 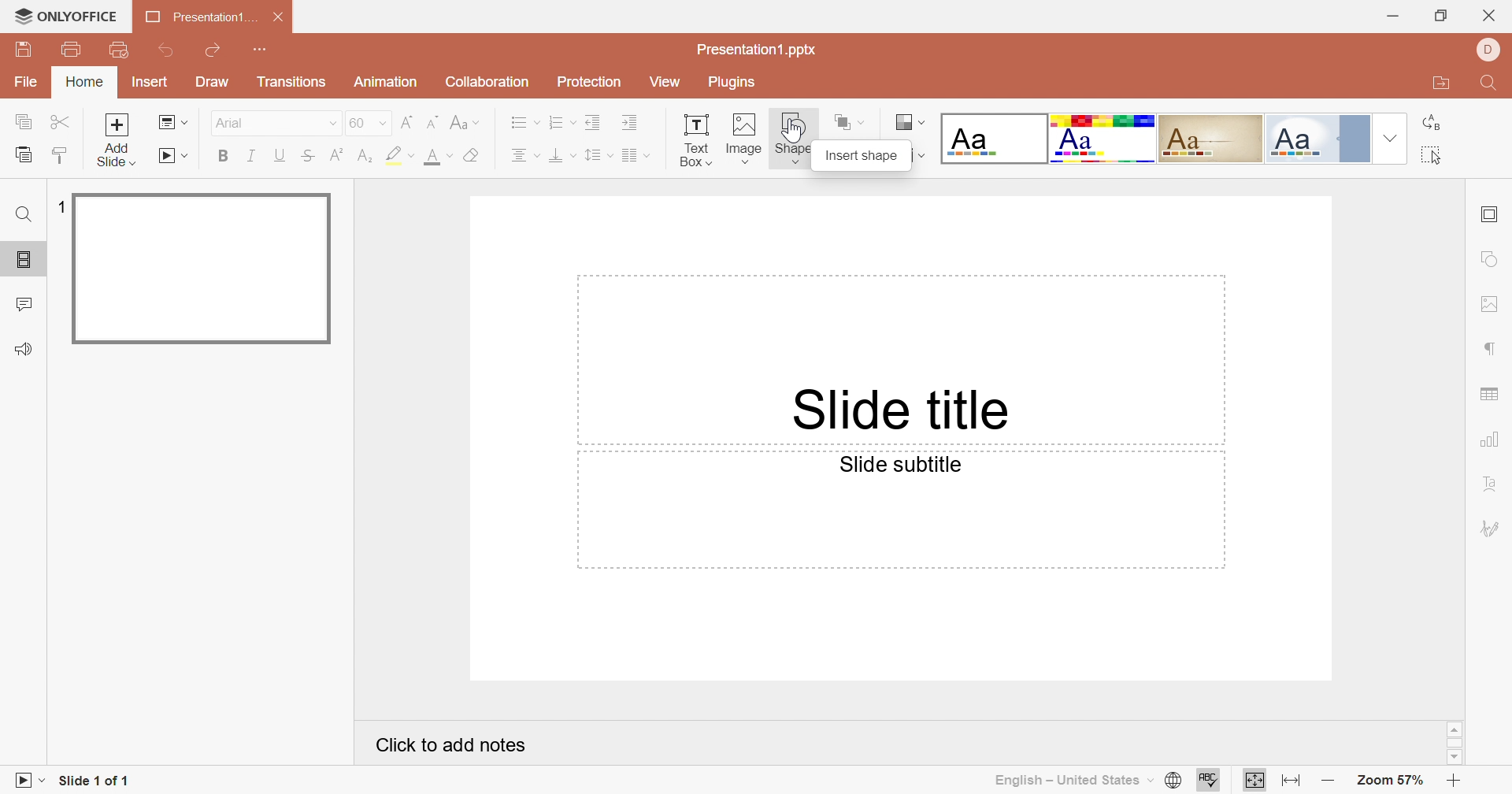 I want to click on Bold, so click(x=221, y=154).